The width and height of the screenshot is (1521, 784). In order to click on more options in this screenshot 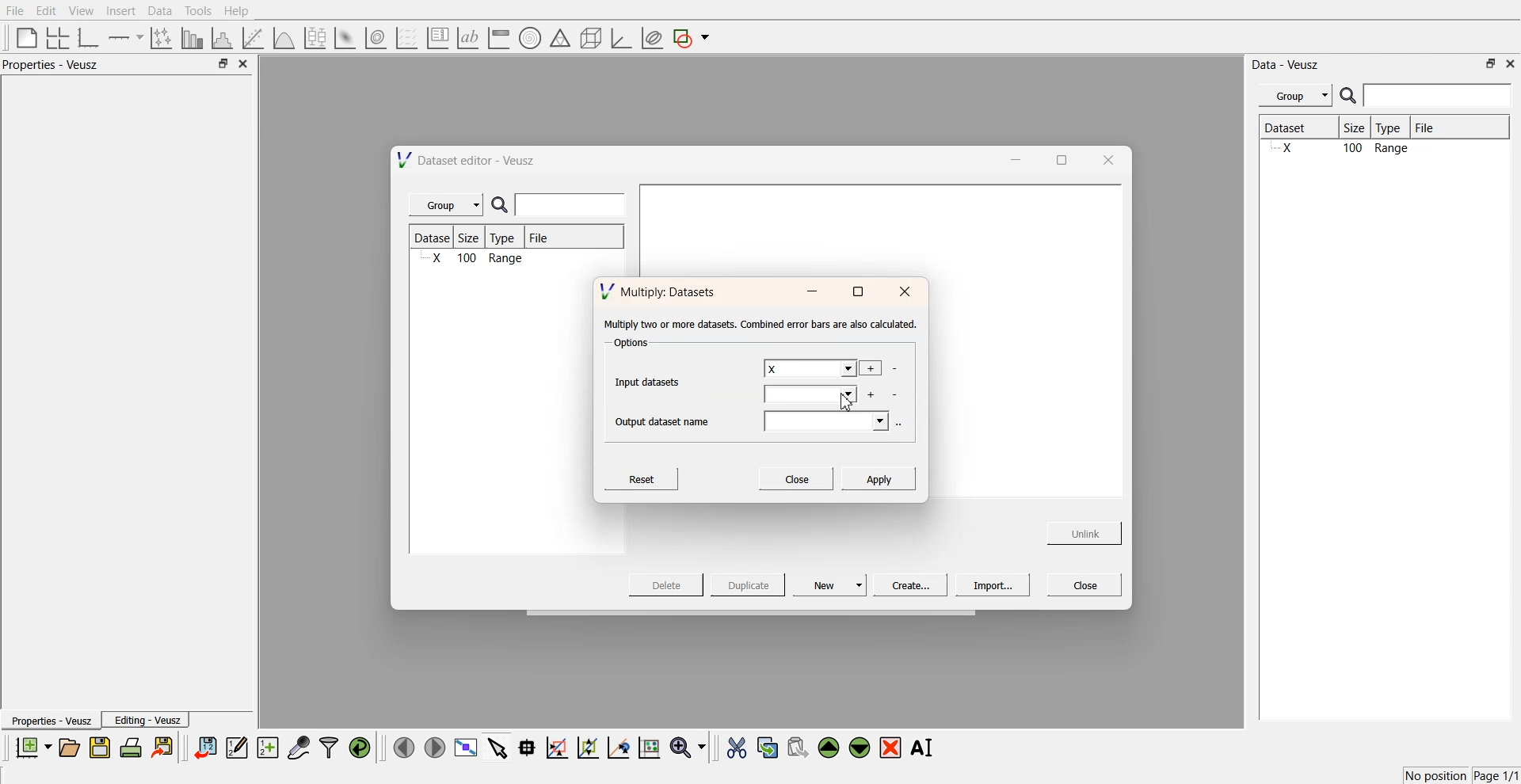, I will do `click(903, 423)`.